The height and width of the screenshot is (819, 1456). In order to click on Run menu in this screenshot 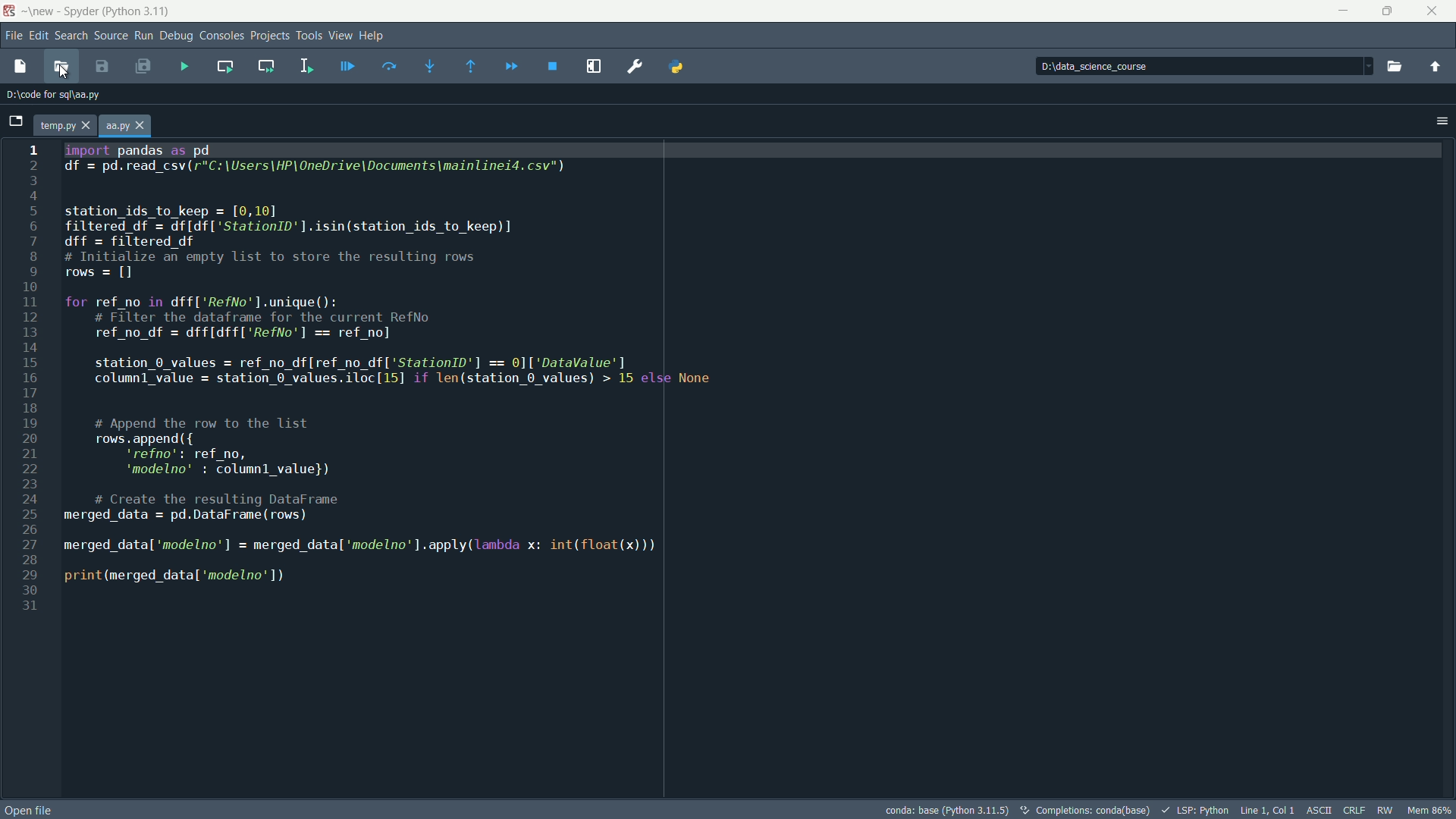, I will do `click(145, 36)`.